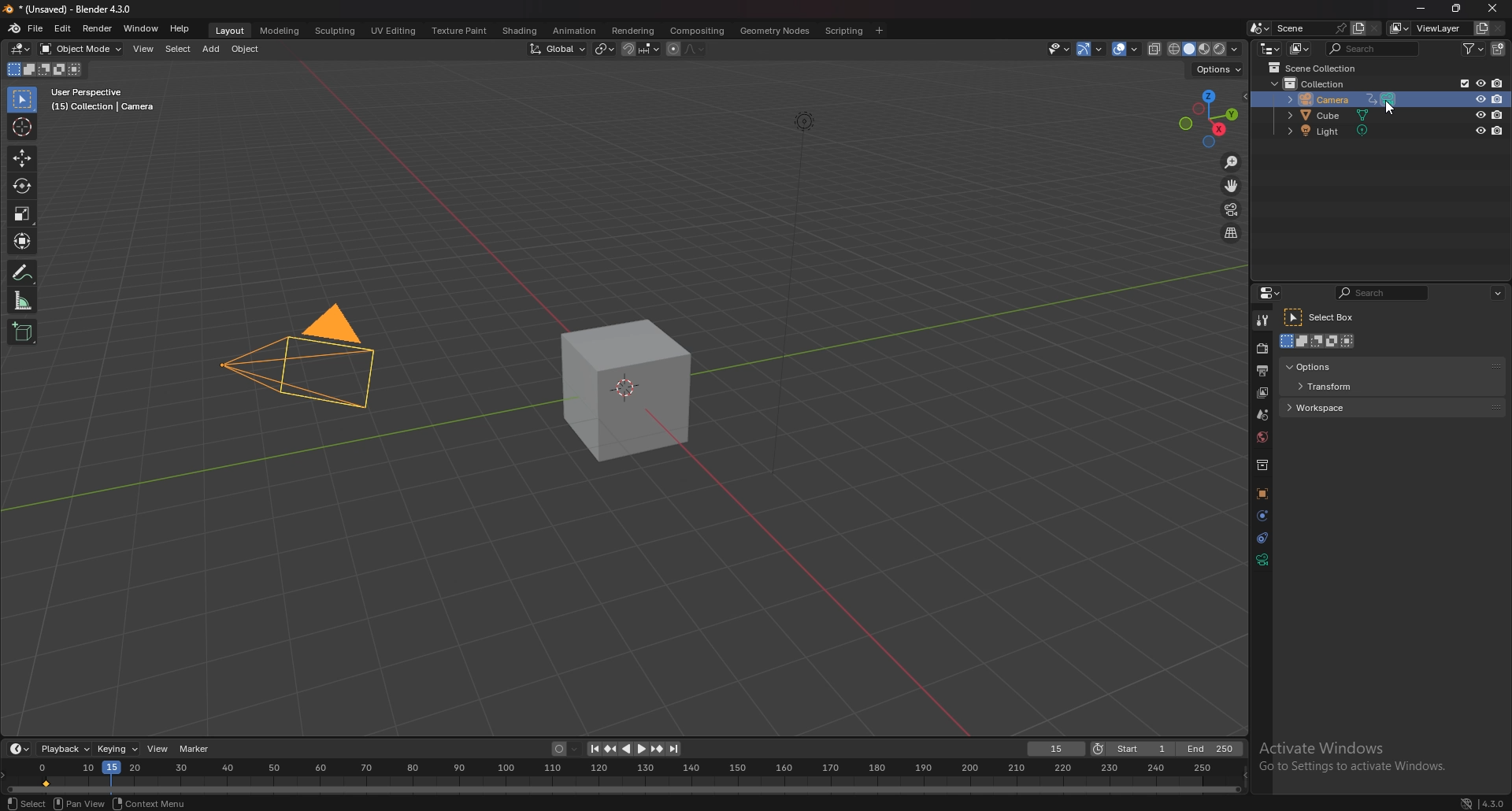 The width and height of the screenshot is (1512, 811). Describe the element at coordinates (1423, 9) in the screenshot. I see `minimize` at that location.